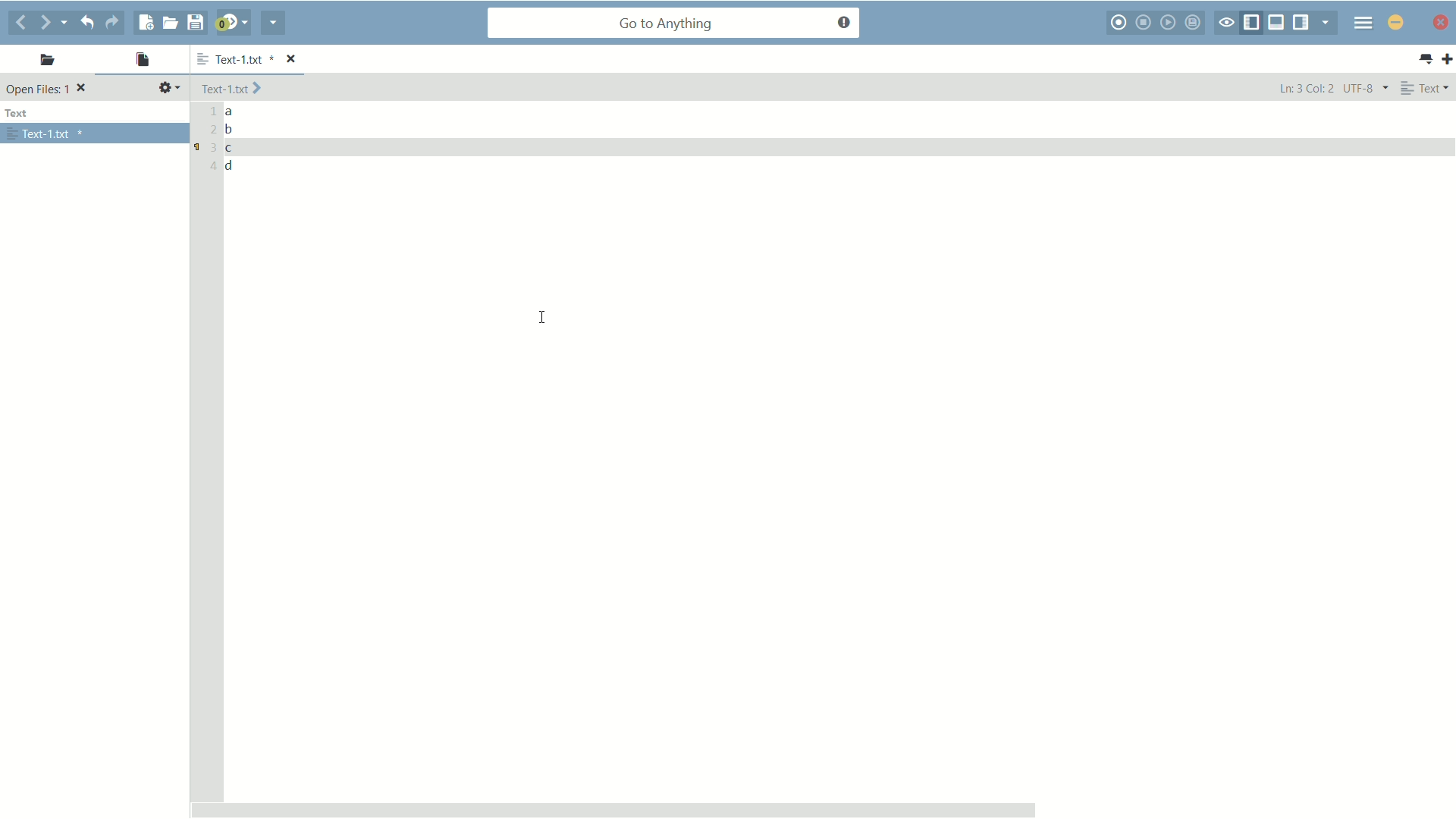 This screenshot has height=819, width=1456. What do you see at coordinates (1254, 21) in the screenshot?
I see `show/hide left pane` at bounding box center [1254, 21].